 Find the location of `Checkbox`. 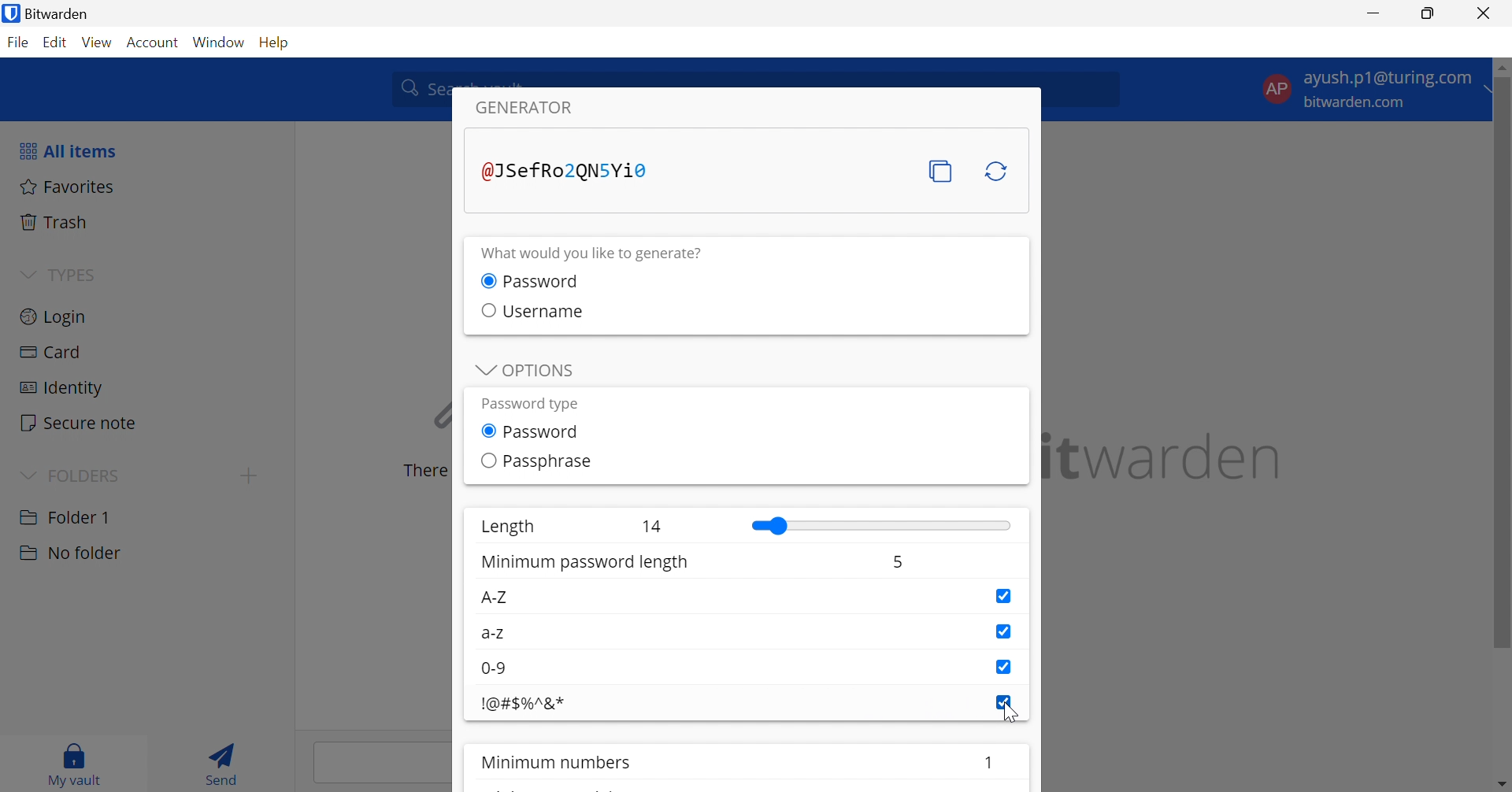

Checkbox is located at coordinates (1004, 702).